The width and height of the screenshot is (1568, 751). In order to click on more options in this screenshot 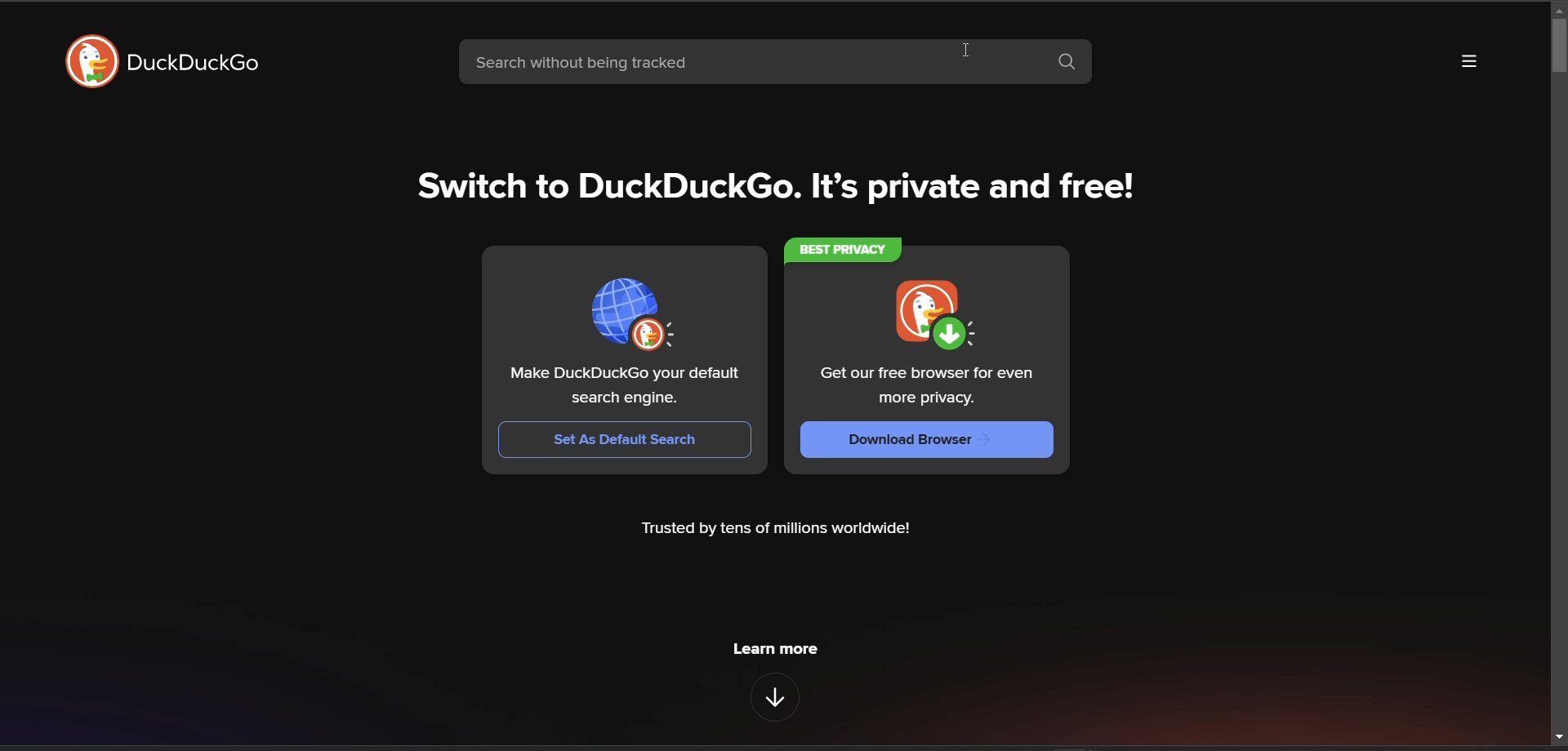, I will do `click(1469, 61)`.